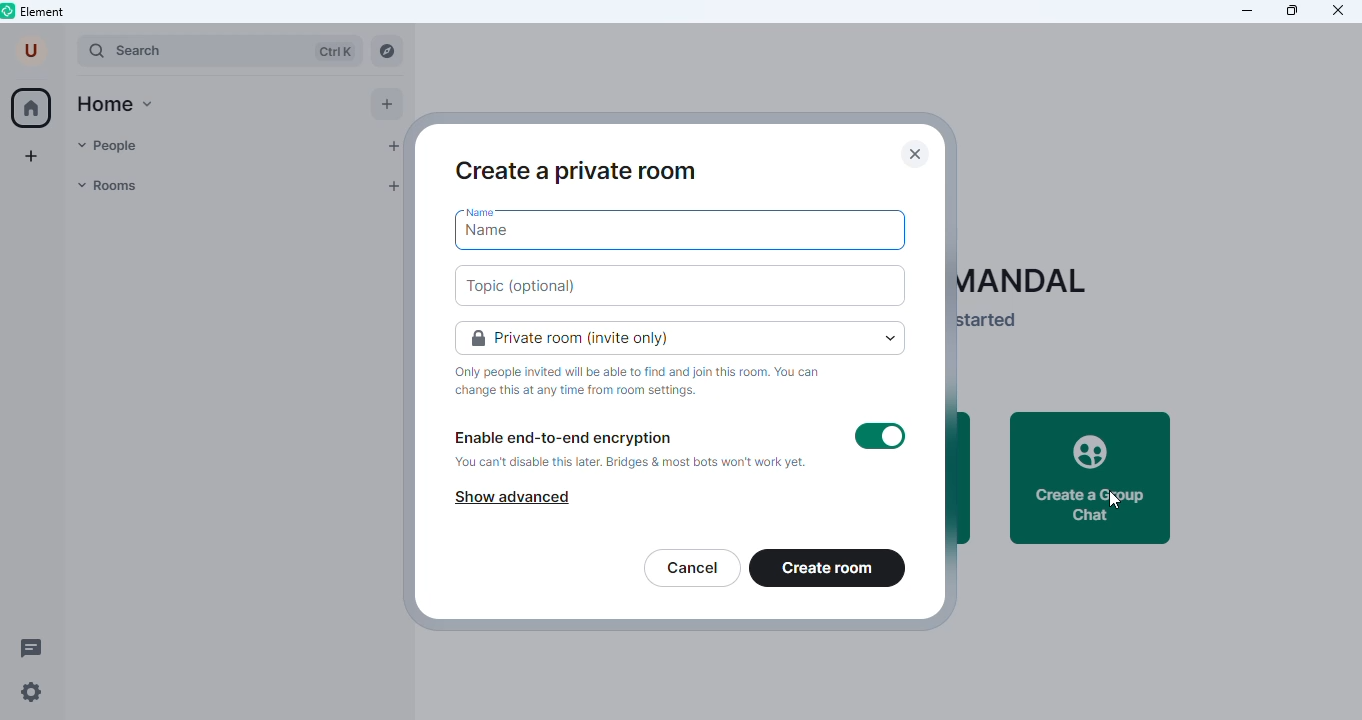  What do you see at coordinates (112, 147) in the screenshot?
I see `people` at bounding box center [112, 147].